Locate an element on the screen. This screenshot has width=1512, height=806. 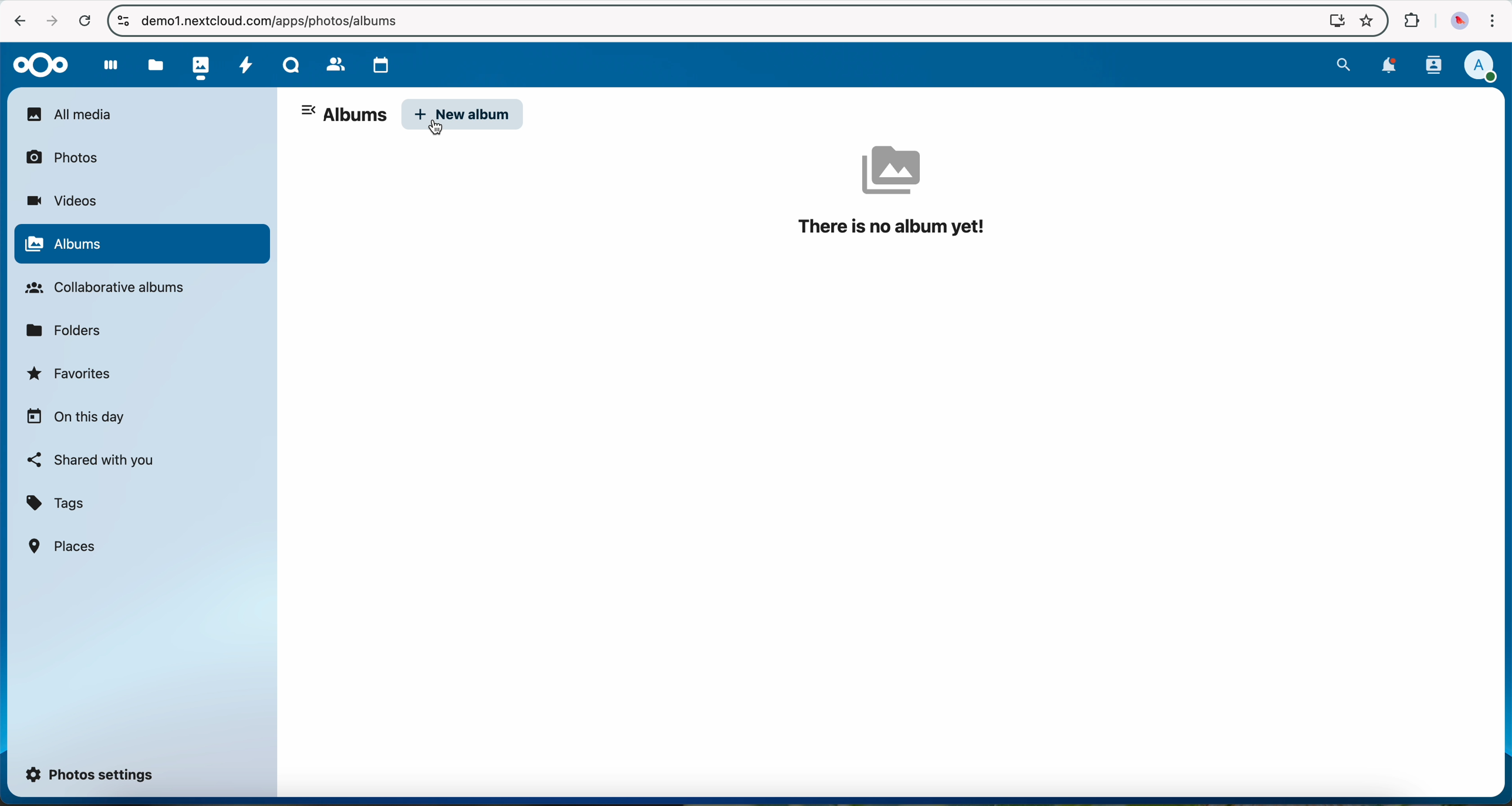
collaborative albums is located at coordinates (112, 288).